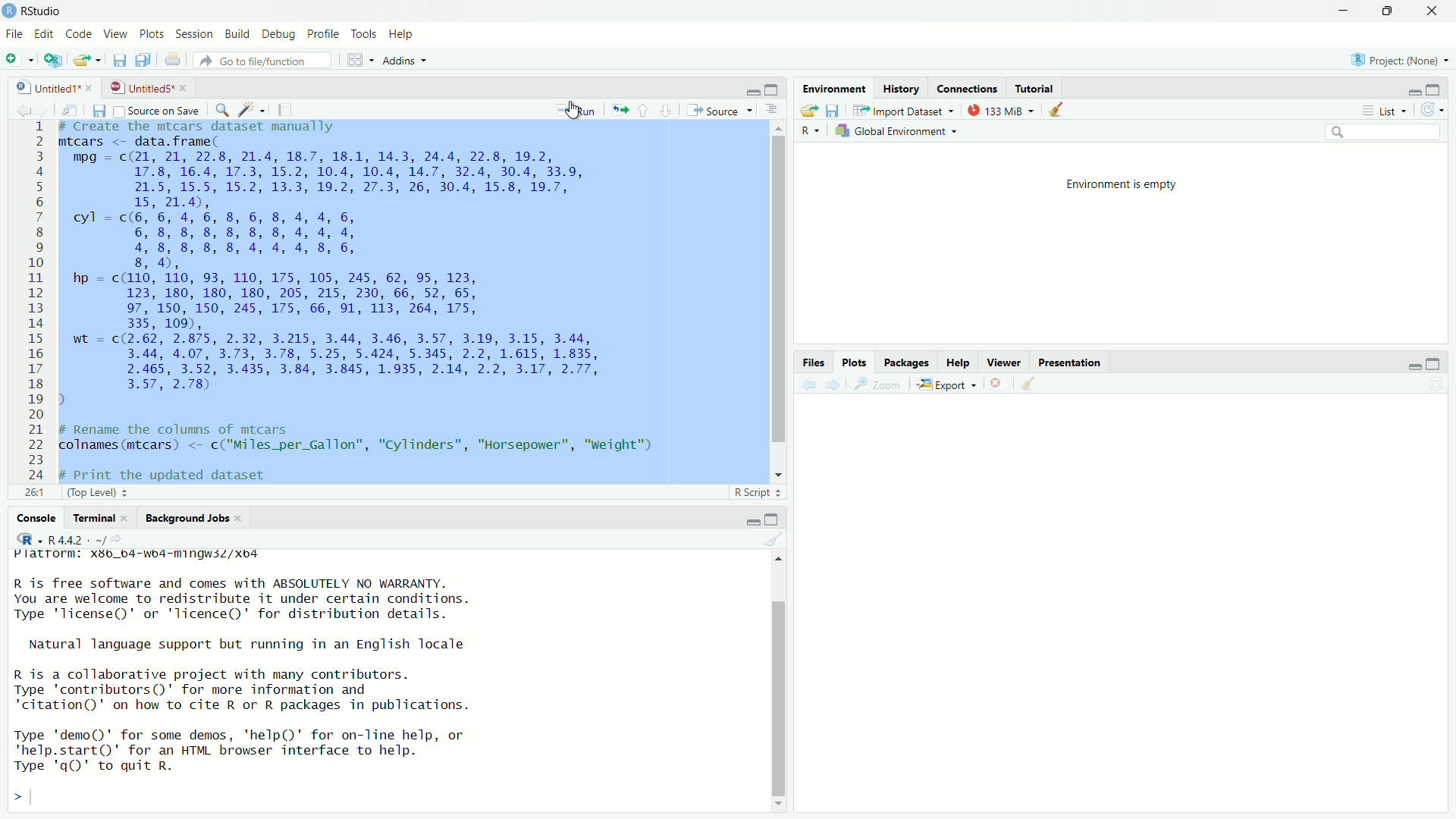  Describe the element at coordinates (71, 538) in the screenshot. I see `R44 . -` at that location.